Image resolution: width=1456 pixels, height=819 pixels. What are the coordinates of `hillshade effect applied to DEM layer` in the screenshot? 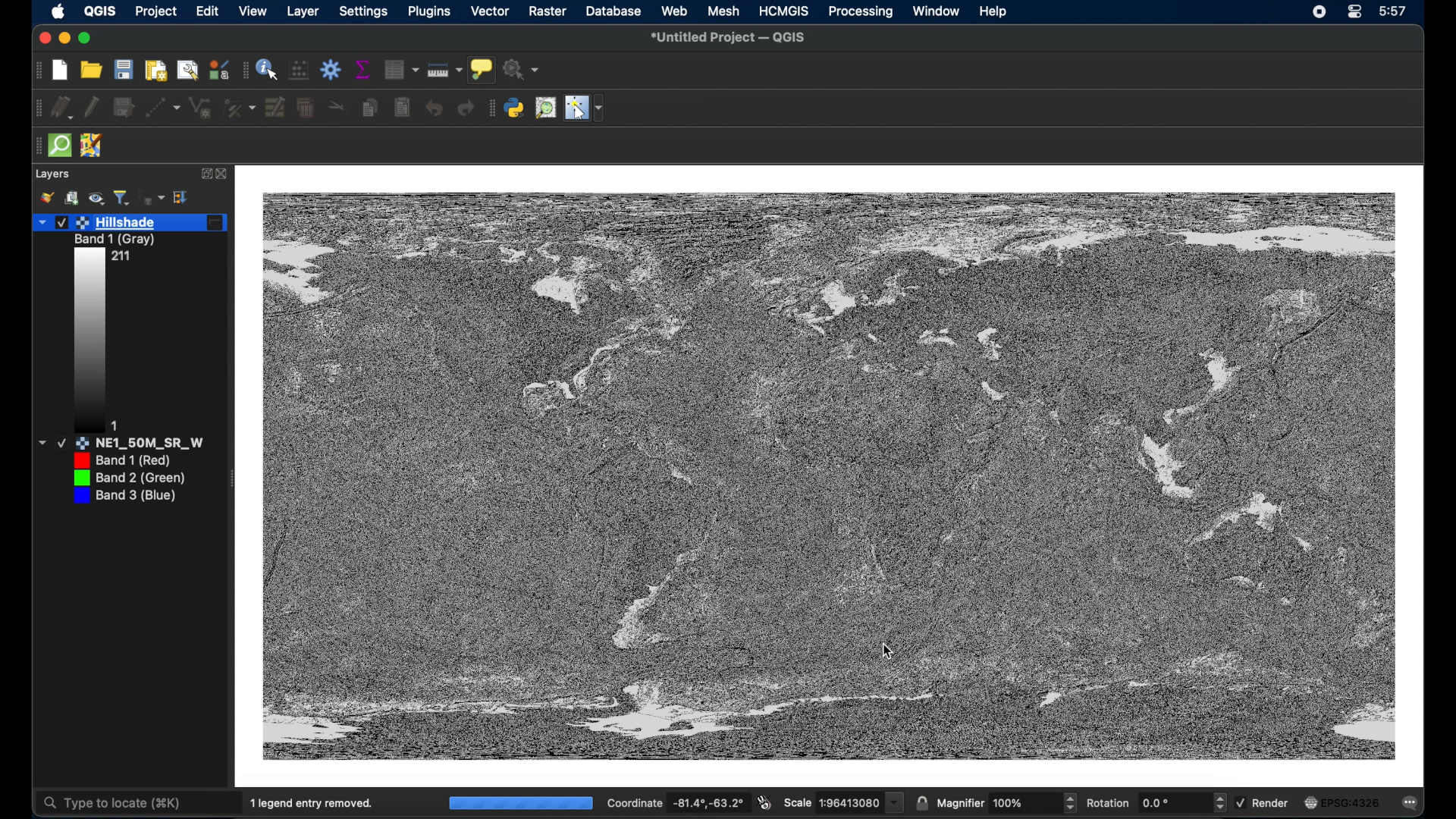 It's located at (829, 478).